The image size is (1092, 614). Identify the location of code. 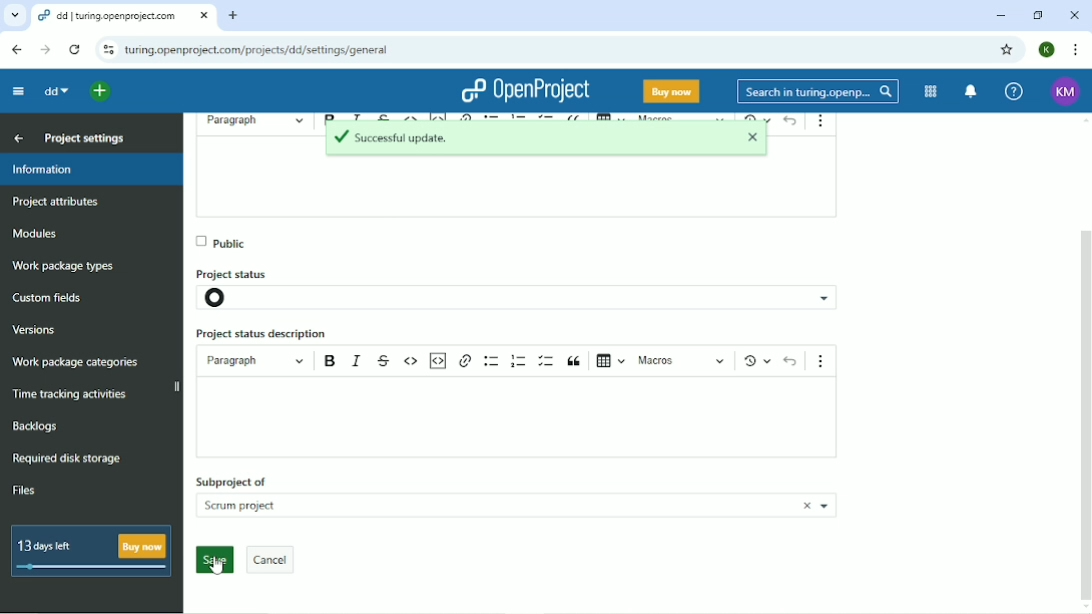
(412, 360).